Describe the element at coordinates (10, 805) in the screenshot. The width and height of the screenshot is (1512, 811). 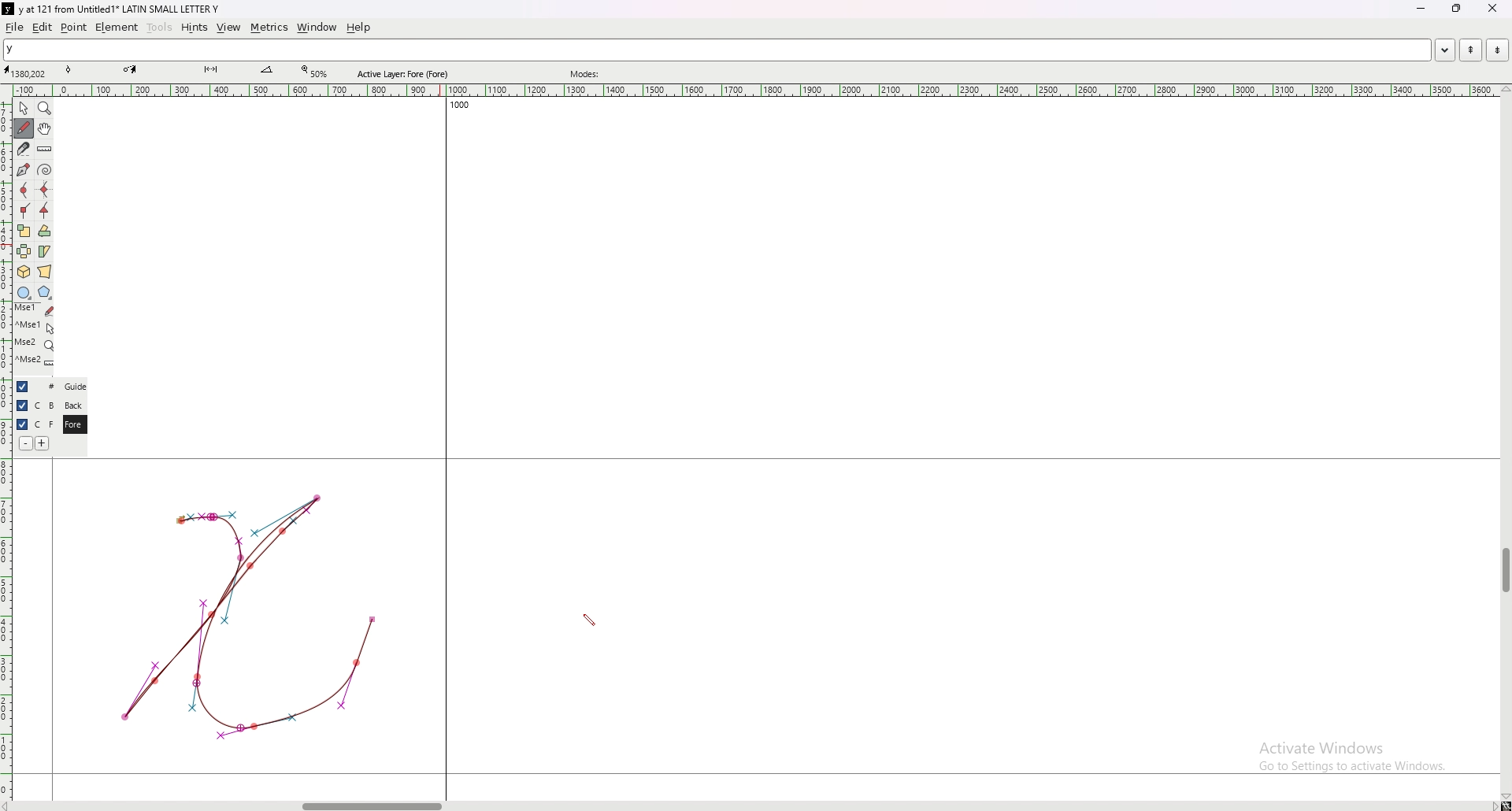
I see `scroll right` at that location.